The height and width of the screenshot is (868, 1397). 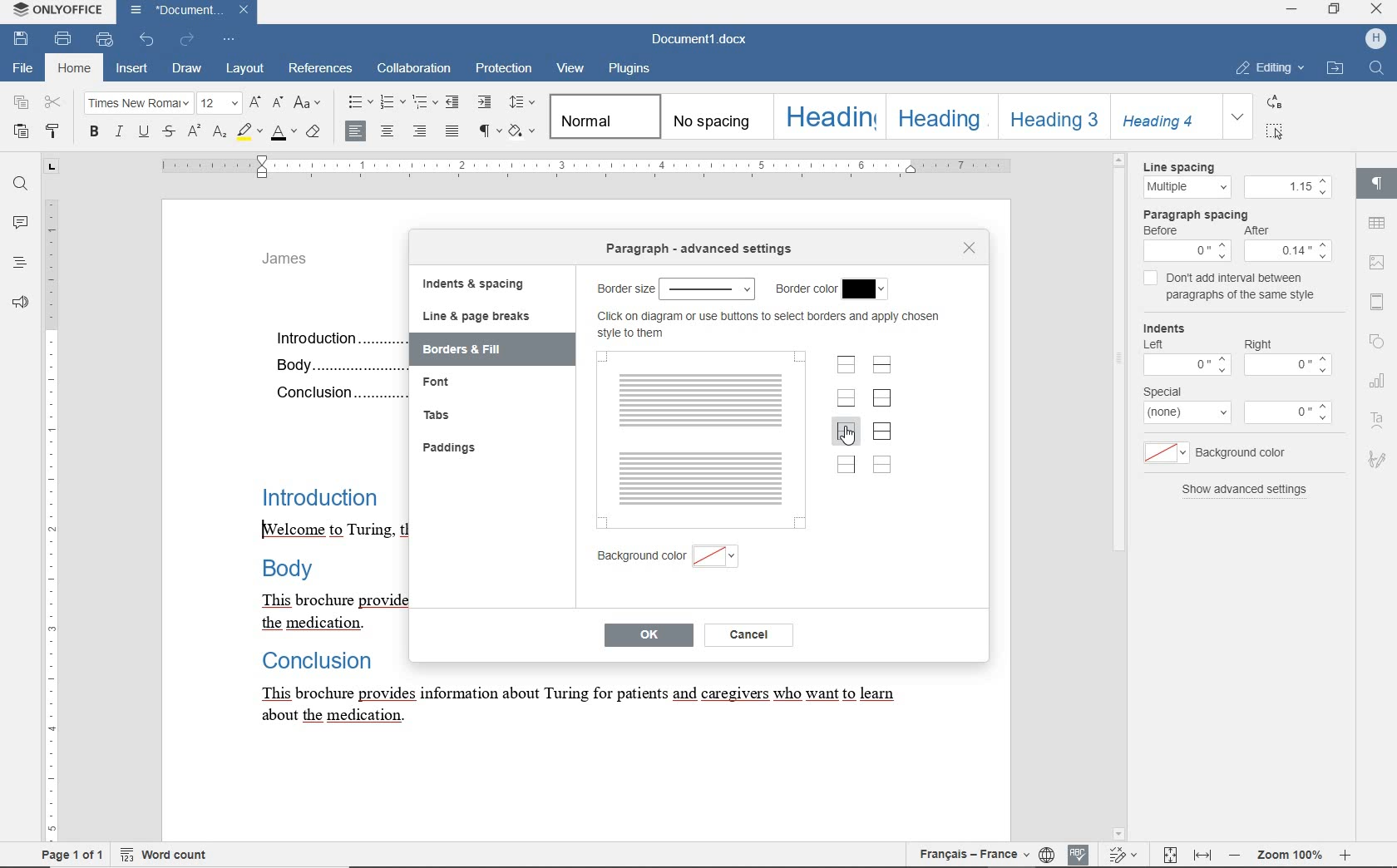 I want to click on align center, so click(x=390, y=131).